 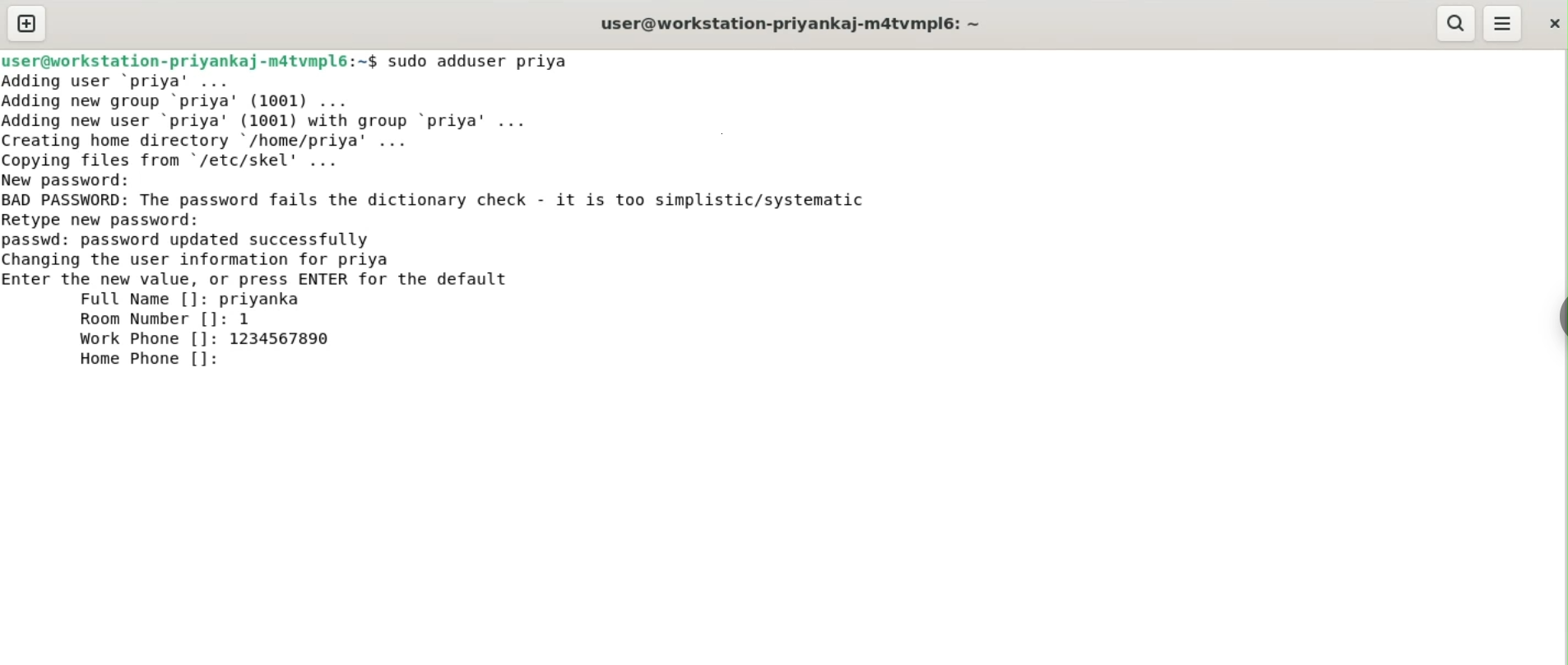 I want to click on room number []:, so click(x=150, y=321).